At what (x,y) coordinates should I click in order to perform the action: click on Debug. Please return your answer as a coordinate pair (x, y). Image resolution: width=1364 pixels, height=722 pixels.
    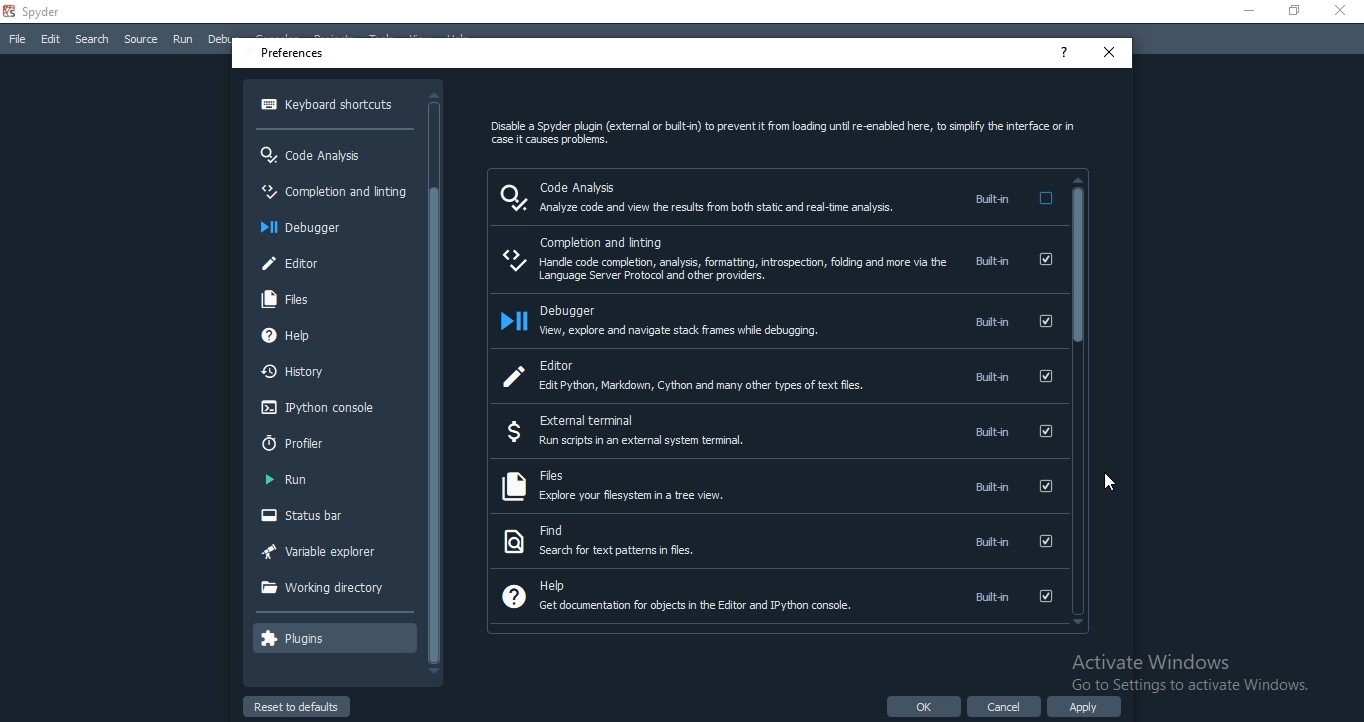
    Looking at the image, I should click on (225, 39).